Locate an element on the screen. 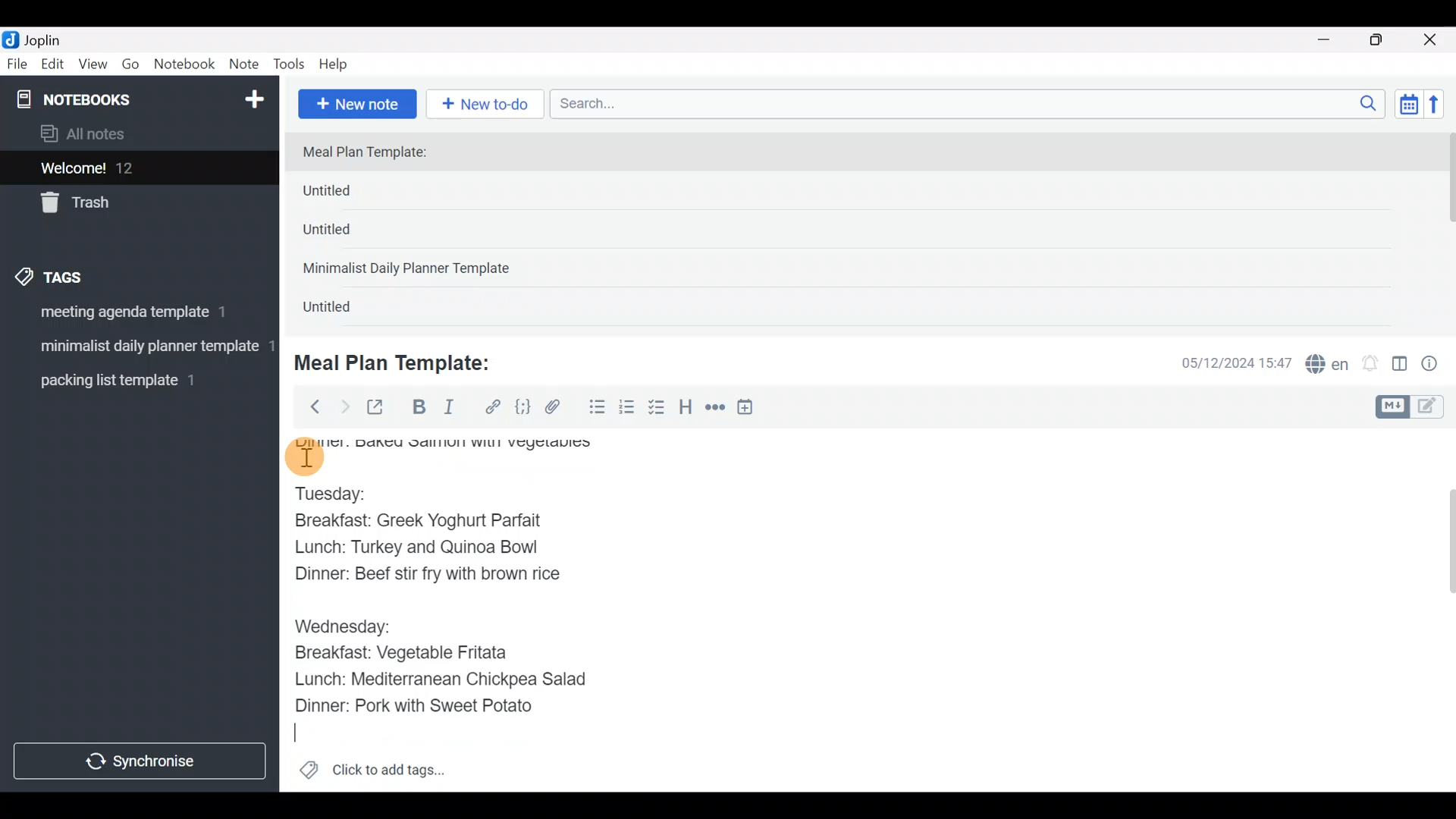 The height and width of the screenshot is (819, 1456). Tag 3 is located at coordinates (134, 380).